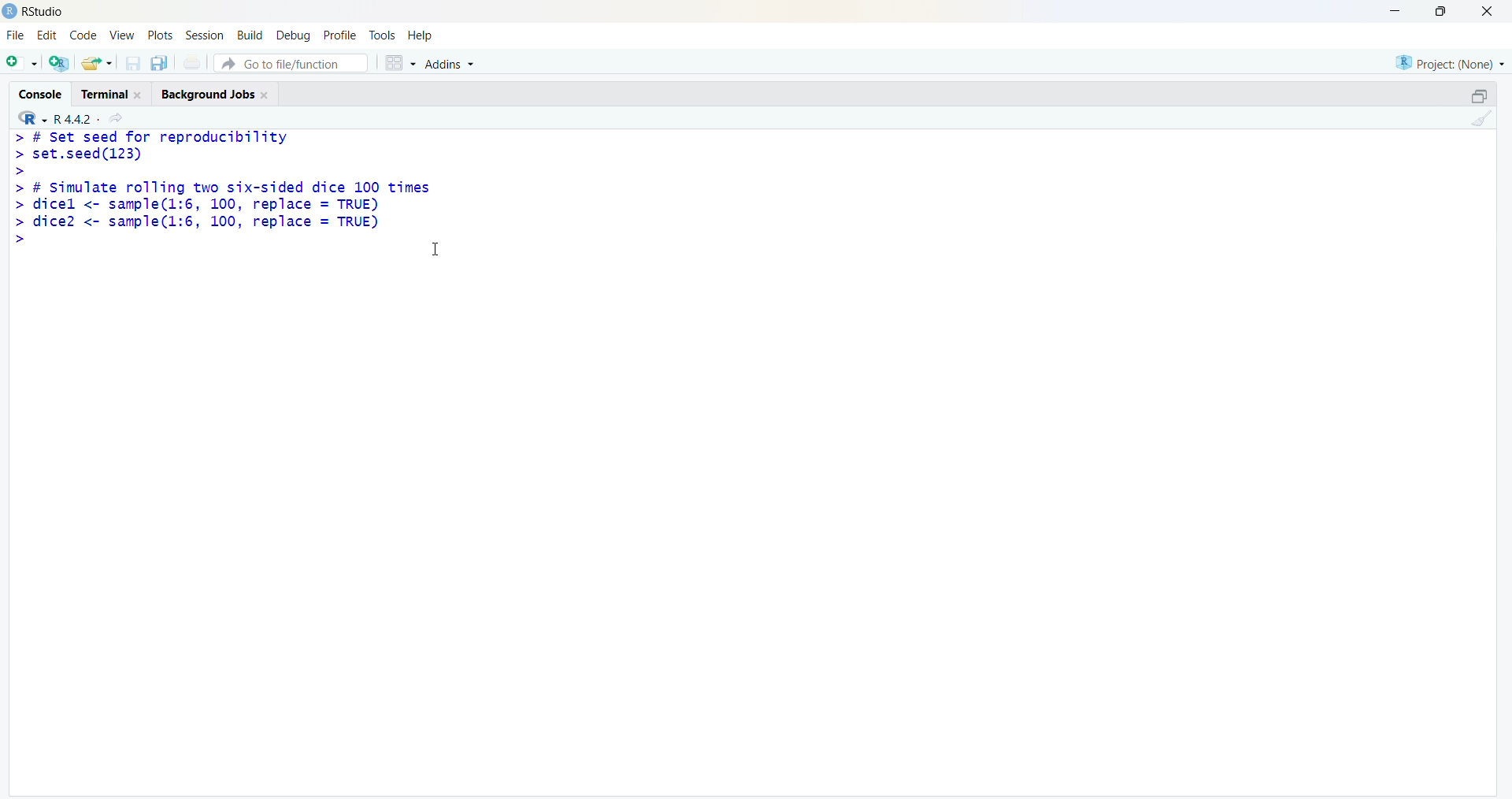 The height and width of the screenshot is (799, 1512). Describe the element at coordinates (132, 63) in the screenshot. I see `save` at that location.